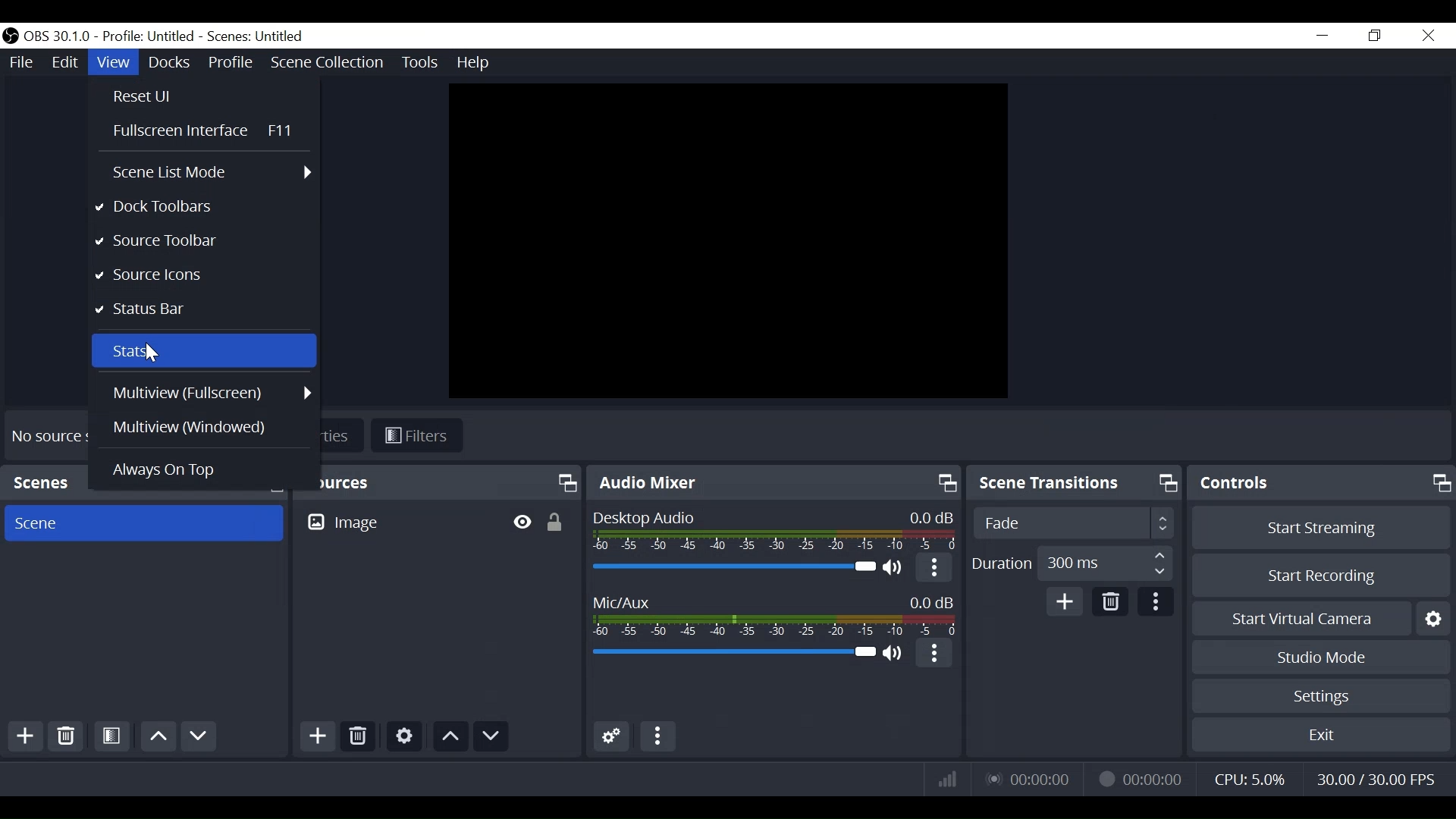 This screenshot has width=1456, height=819. What do you see at coordinates (12, 36) in the screenshot?
I see `OBS Studio Desktop Icon` at bounding box center [12, 36].